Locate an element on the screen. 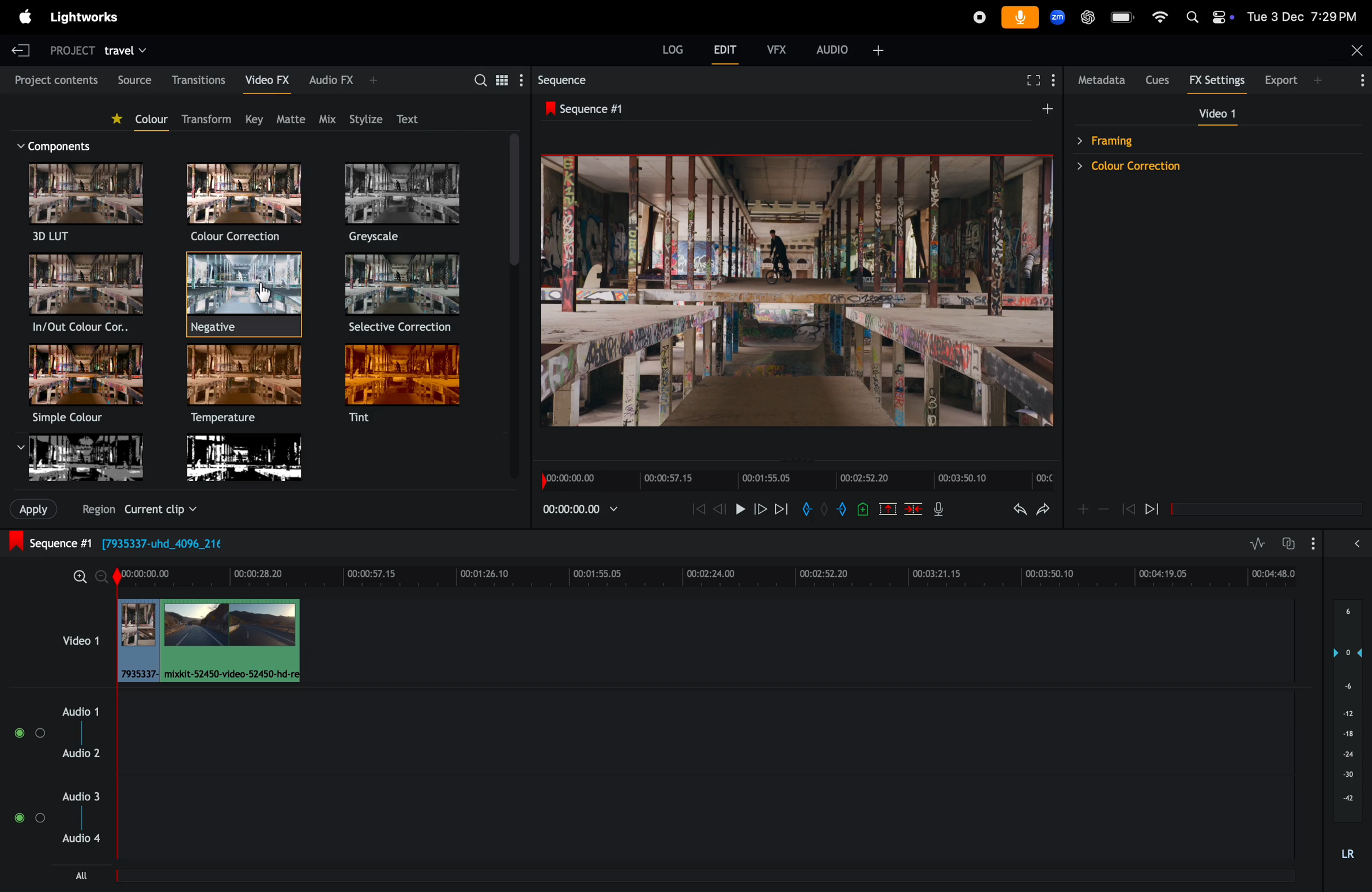   is located at coordinates (138, 510).